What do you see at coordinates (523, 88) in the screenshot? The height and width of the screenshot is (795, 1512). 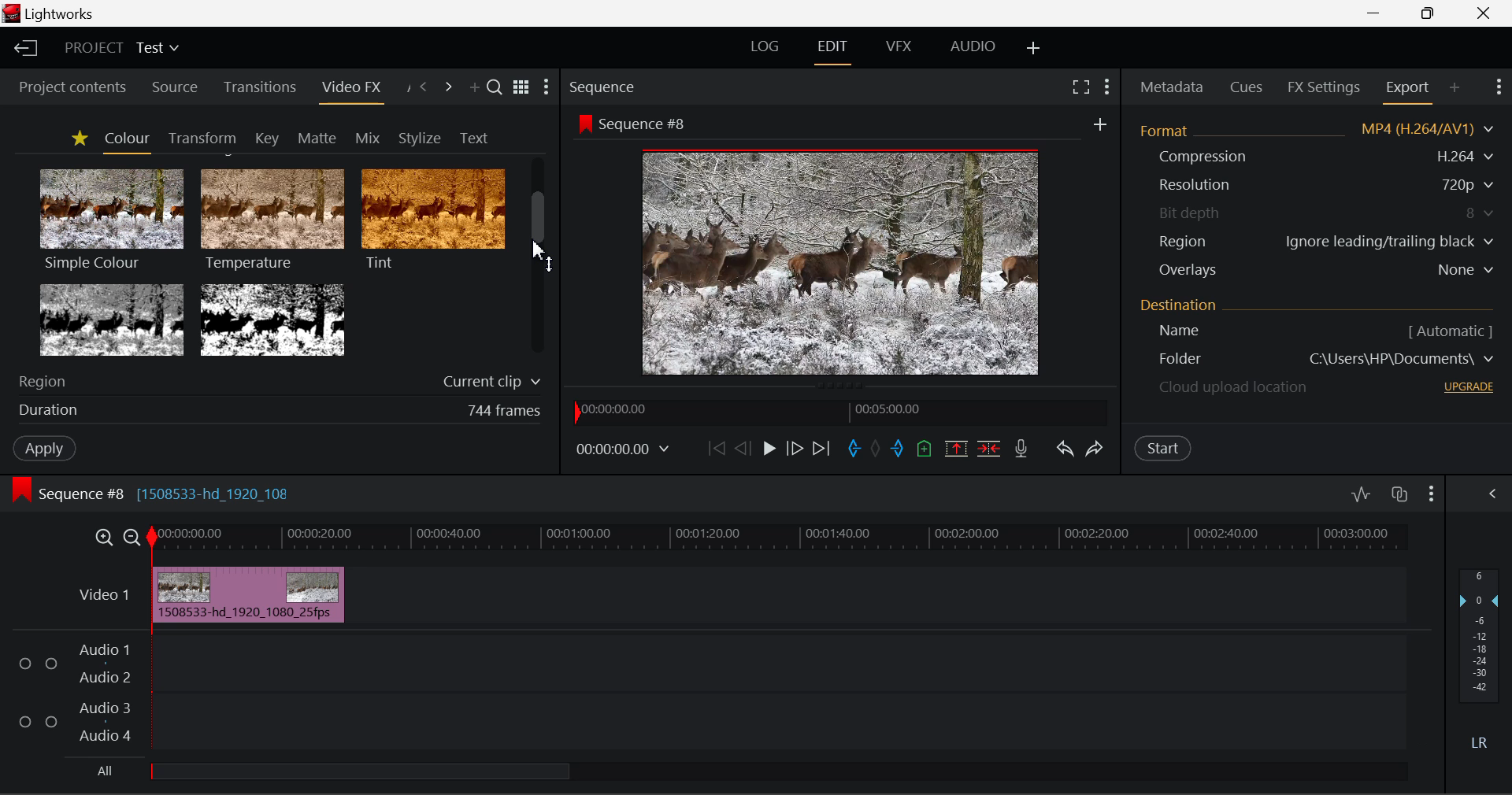 I see `Toggle between title and list view` at bounding box center [523, 88].